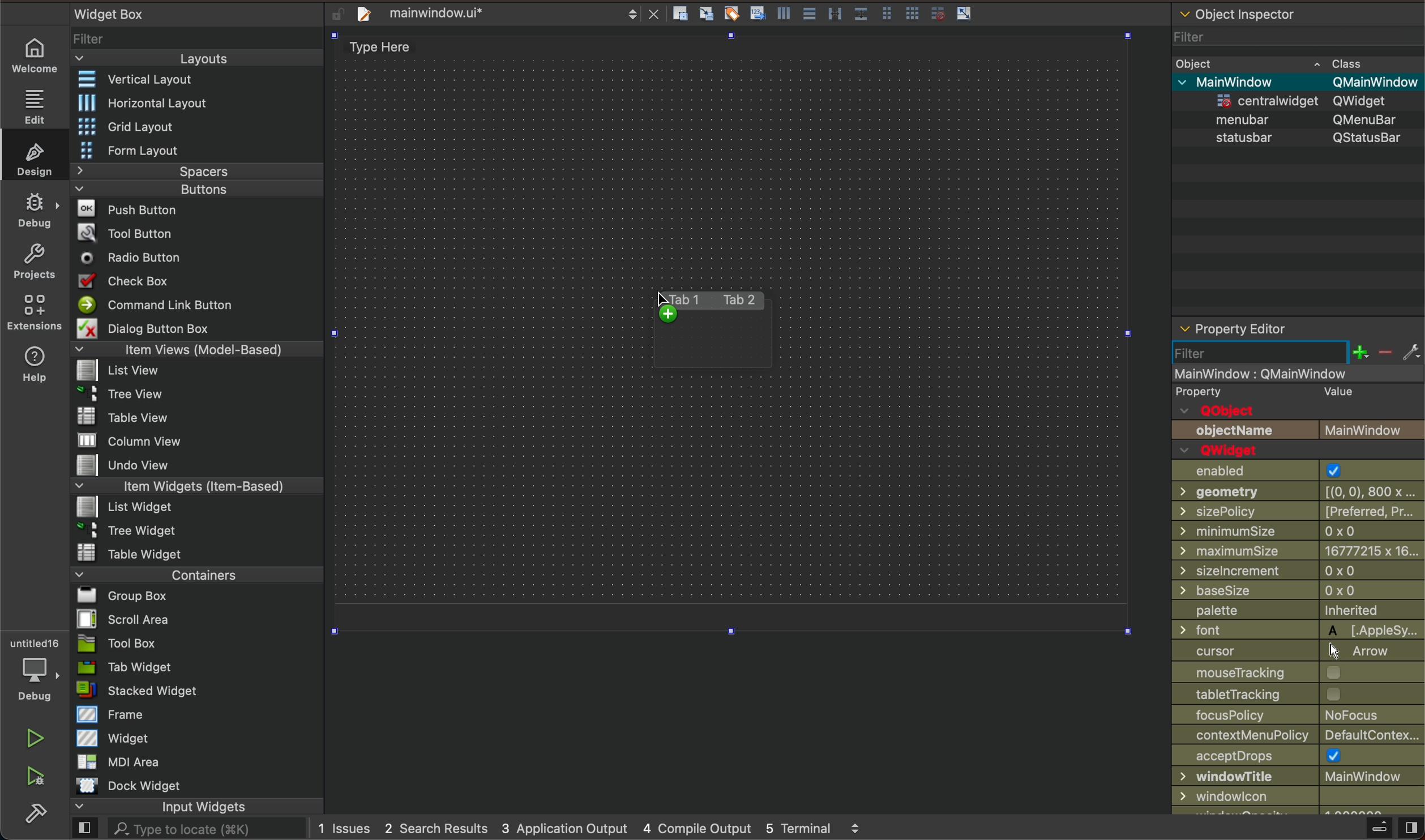 The height and width of the screenshot is (840, 1425). I want to click on , so click(1301, 796).